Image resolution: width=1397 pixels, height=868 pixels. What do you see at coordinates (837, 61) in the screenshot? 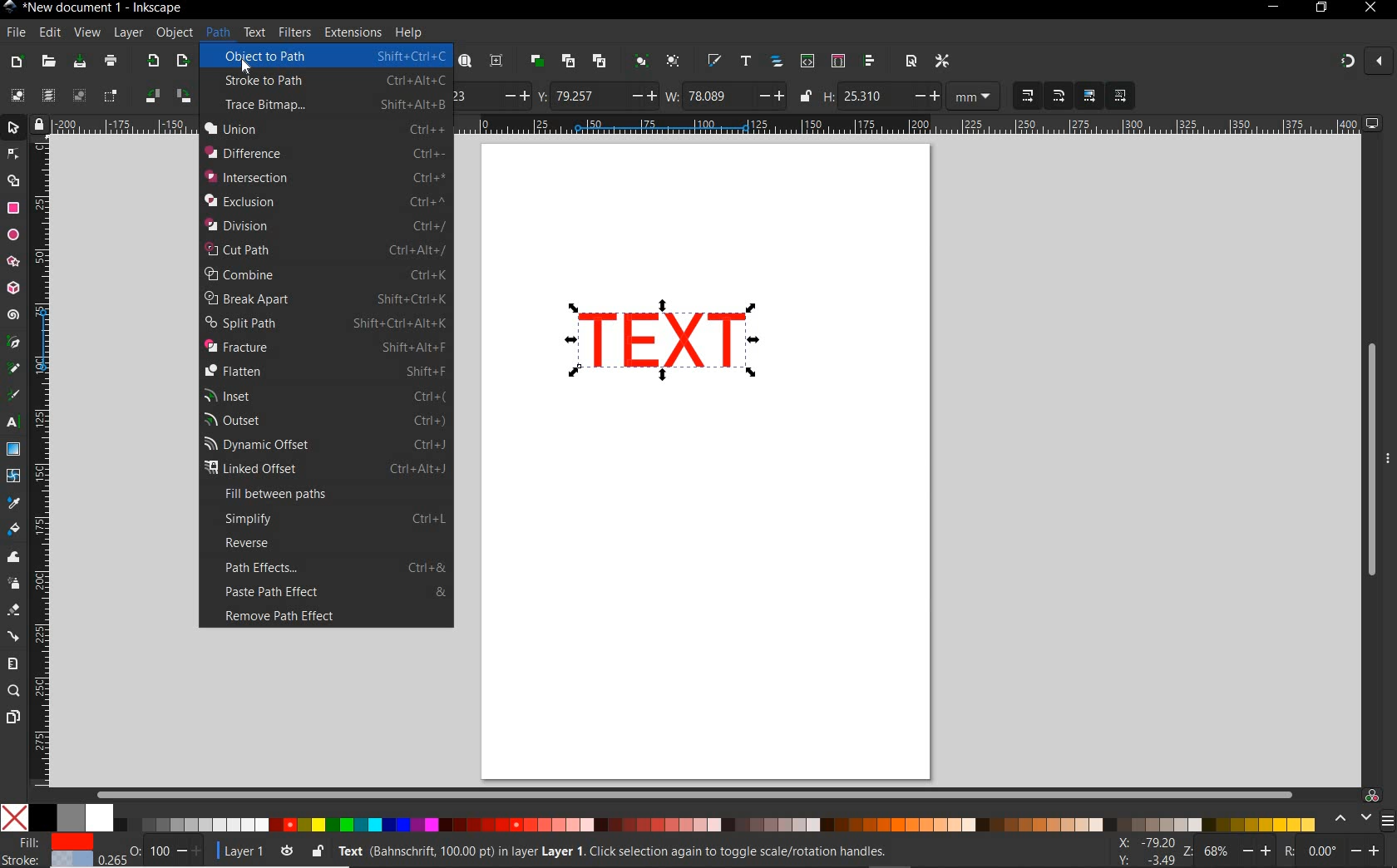
I see `OPEN SELECTORS` at bounding box center [837, 61].